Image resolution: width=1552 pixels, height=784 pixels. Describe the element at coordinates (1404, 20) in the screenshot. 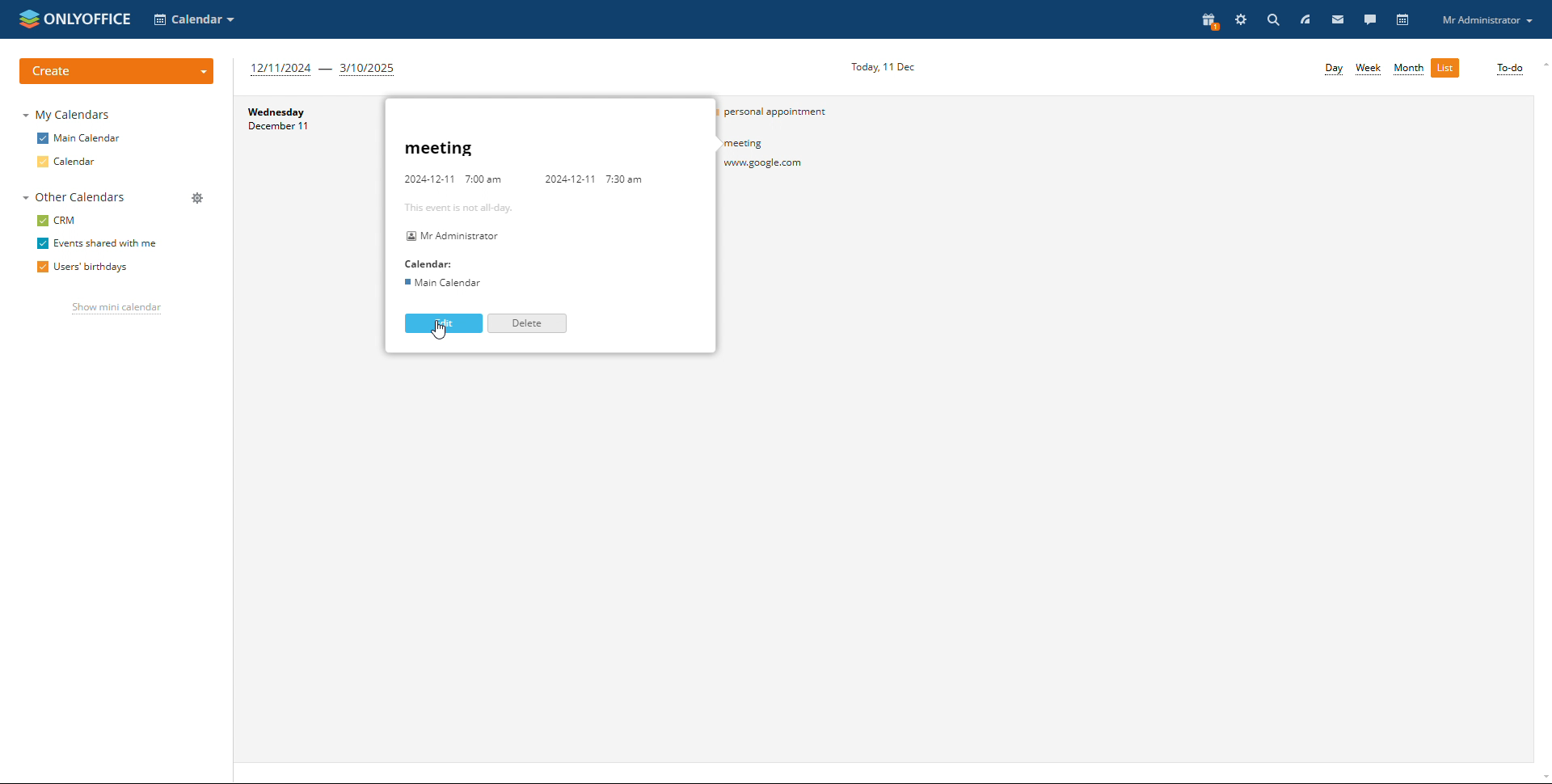

I see `calendar` at that location.